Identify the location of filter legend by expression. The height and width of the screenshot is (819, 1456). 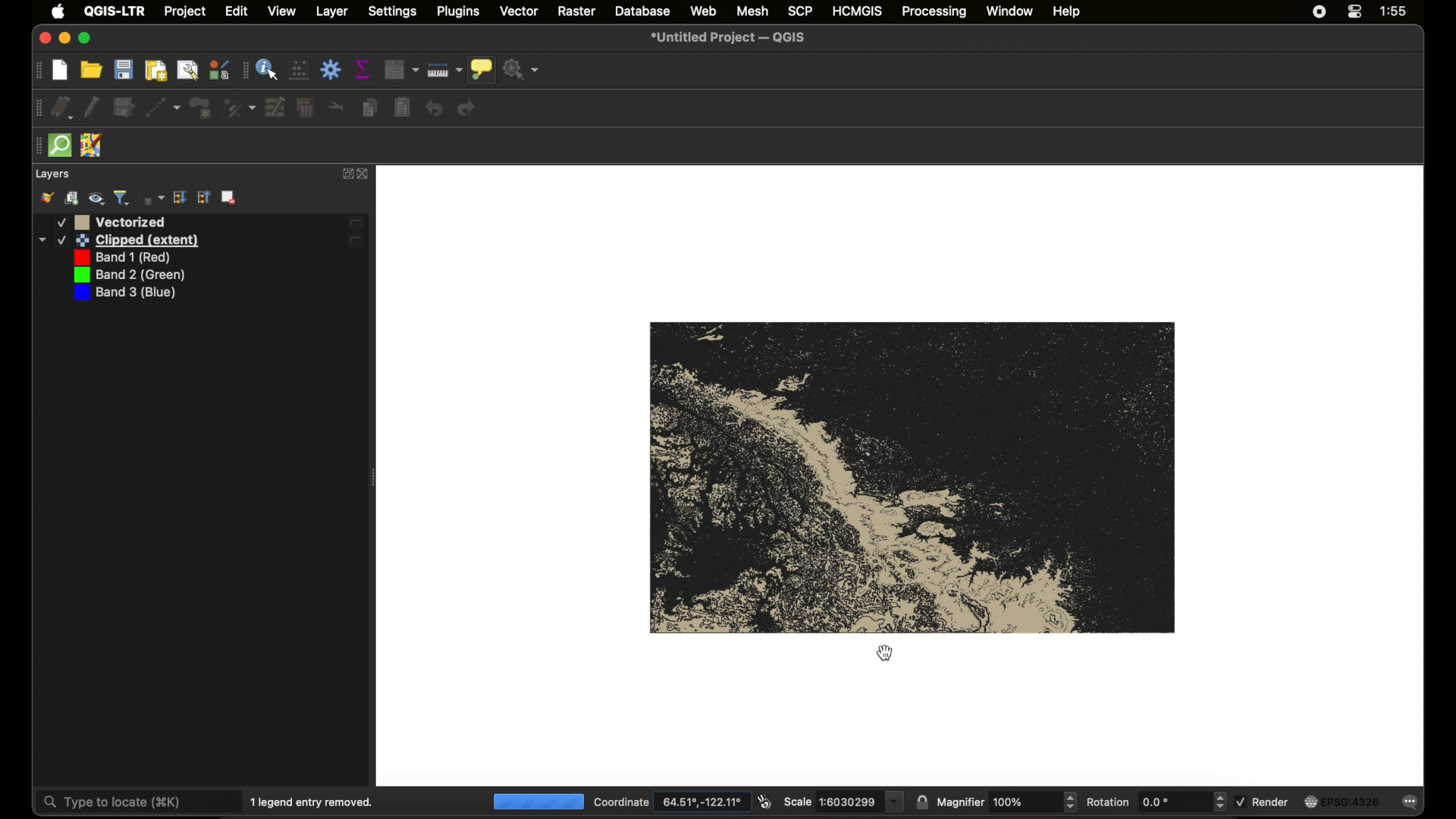
(152, 198).